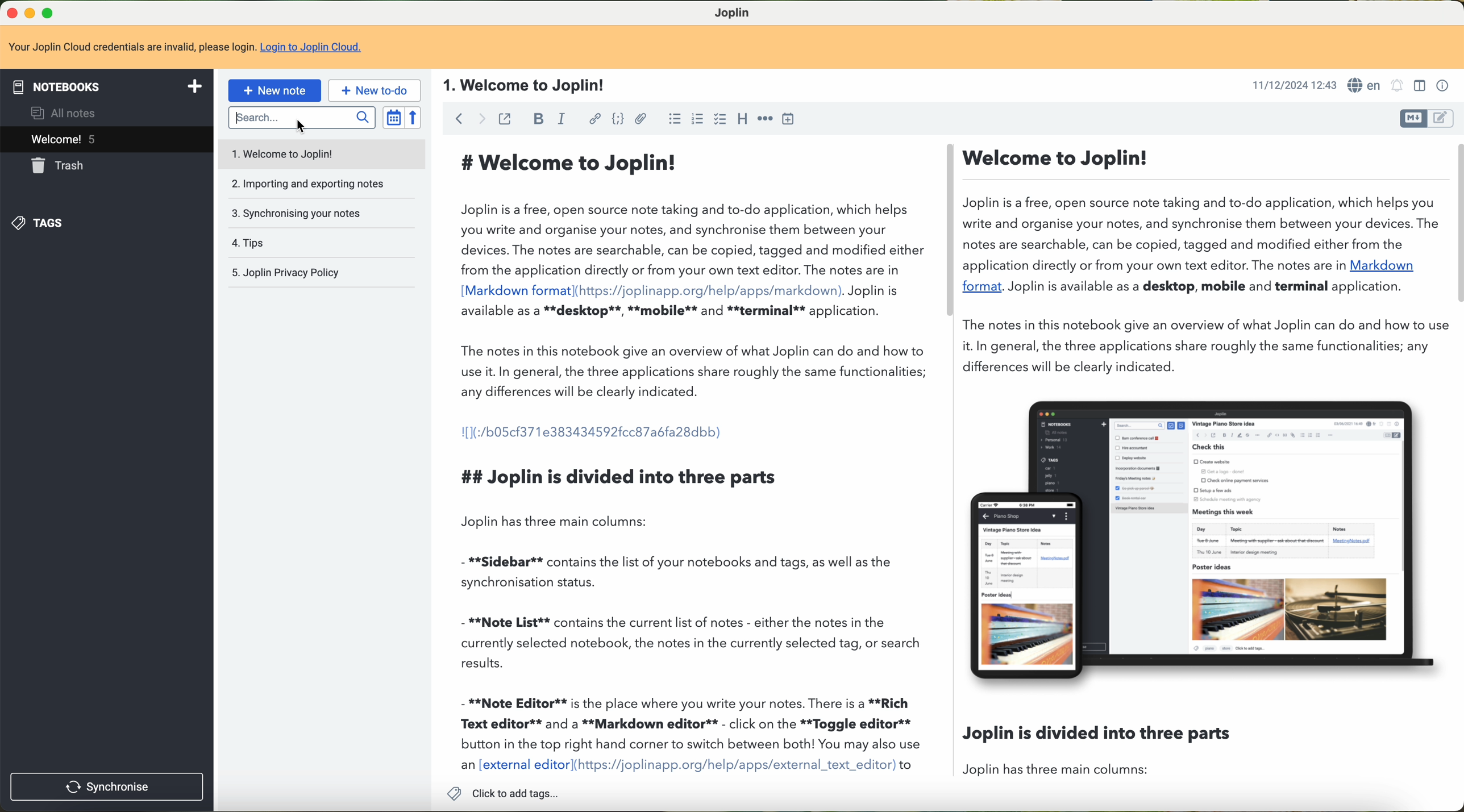  Describe the element at coordinates (320, 155) in the screenshot. I see `welcome to Joplin note` at that location.